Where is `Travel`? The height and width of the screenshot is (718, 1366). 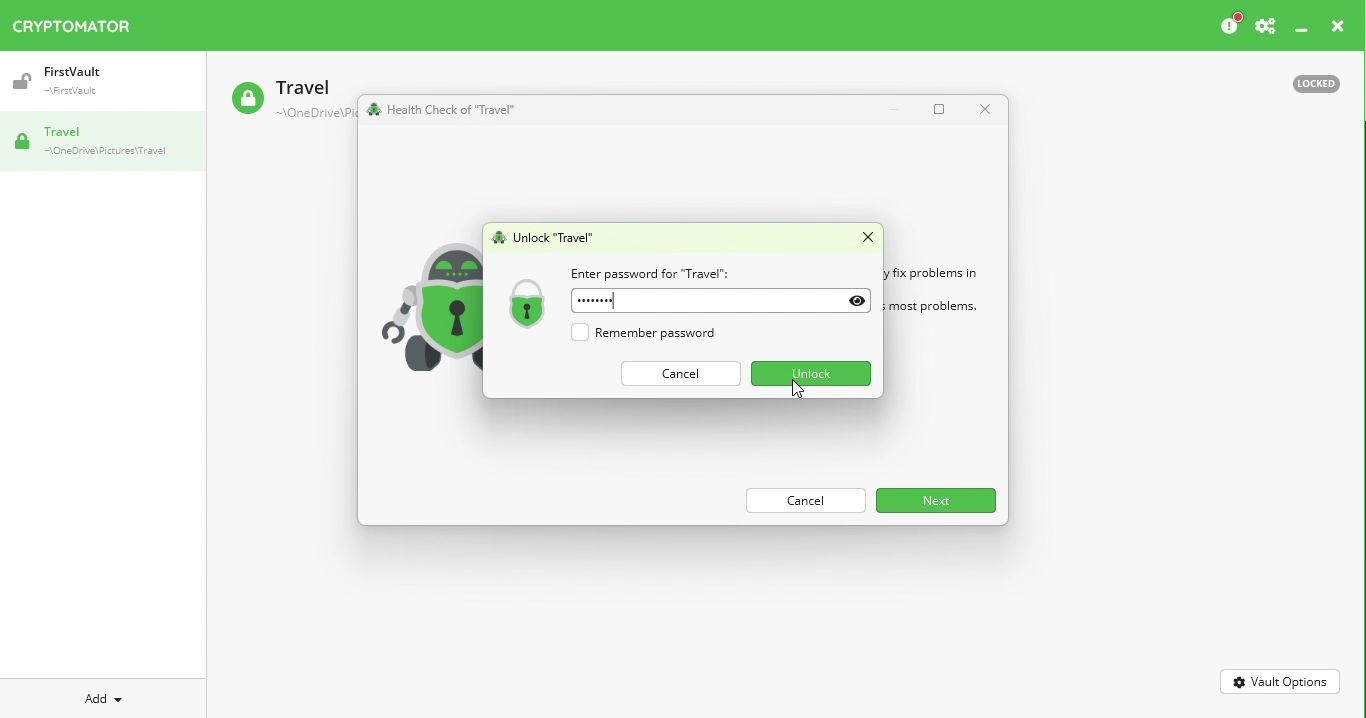 Travel is located at coordinates (293, 97).